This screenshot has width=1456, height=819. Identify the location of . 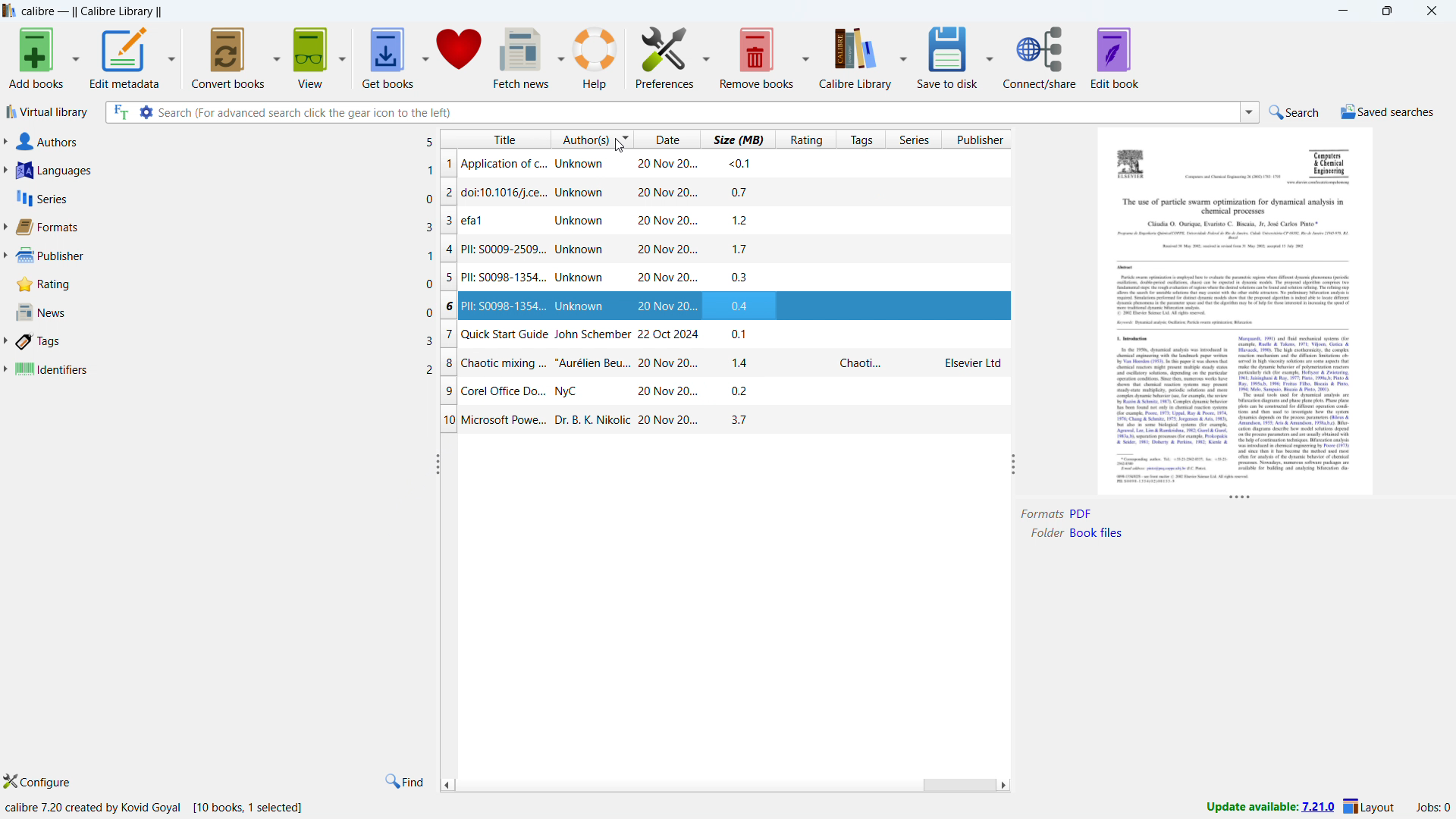
(1322, 184).